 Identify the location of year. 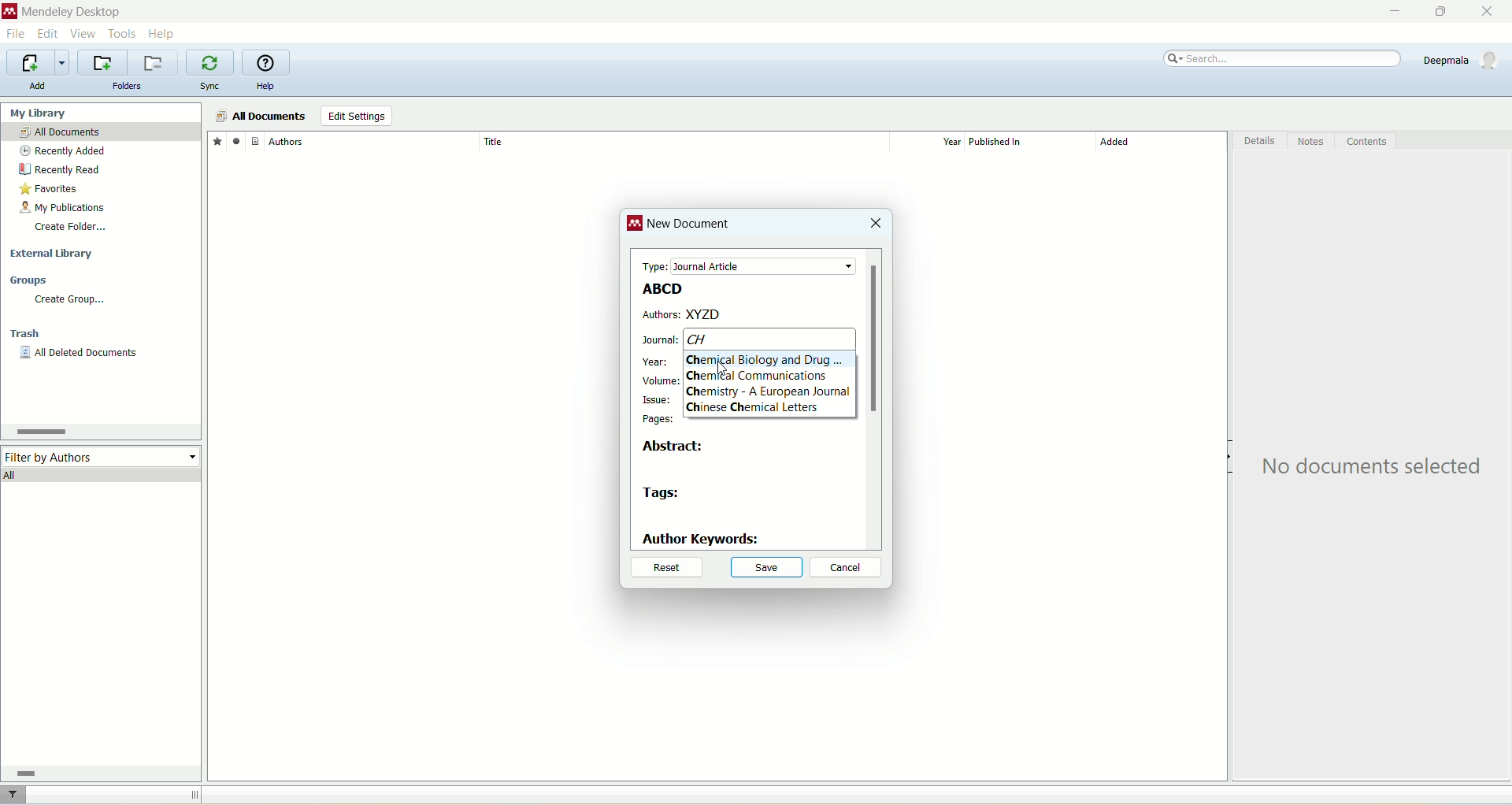
(932, 142).